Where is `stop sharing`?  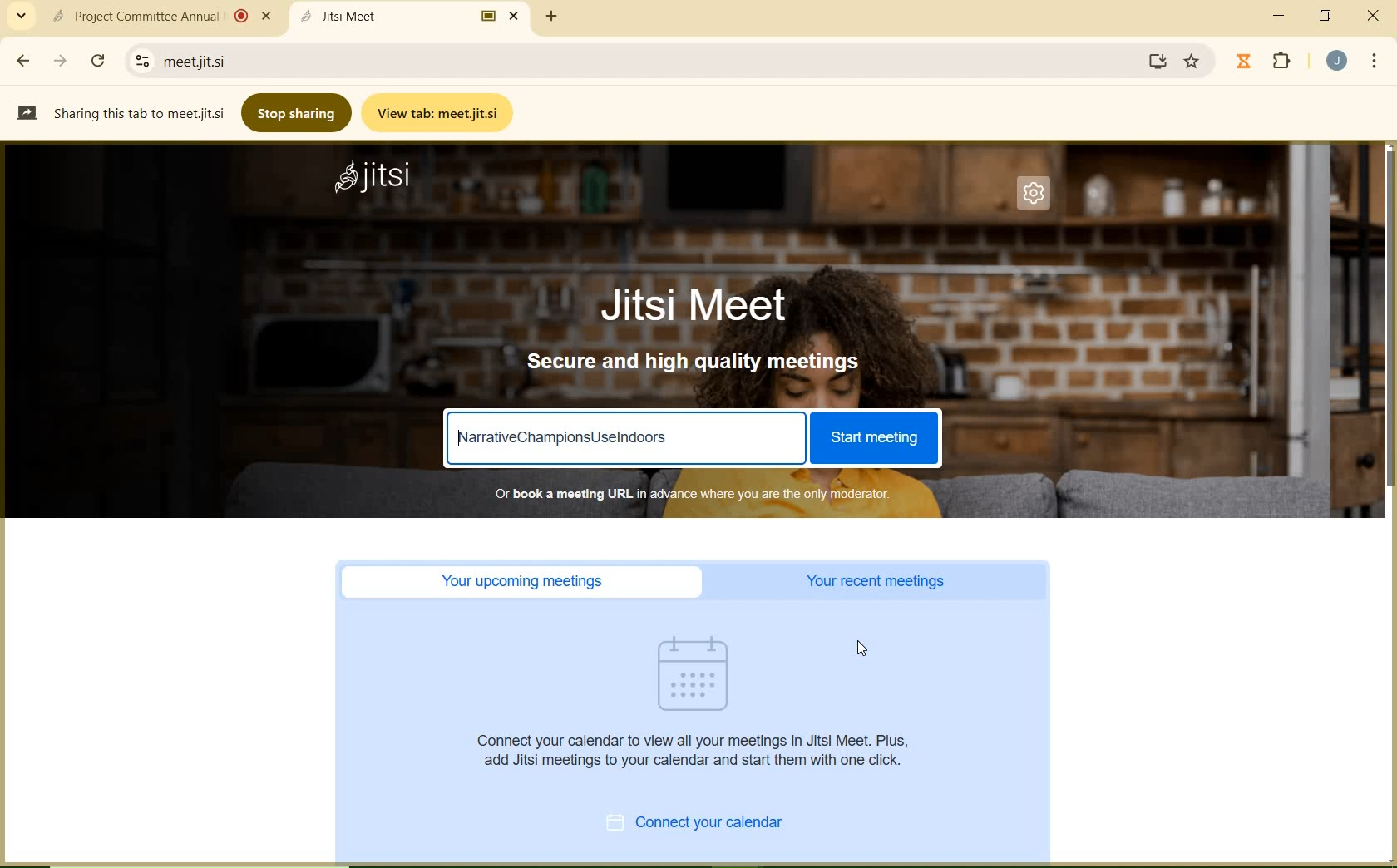
stop sharing is located at coordinates (295, 115).